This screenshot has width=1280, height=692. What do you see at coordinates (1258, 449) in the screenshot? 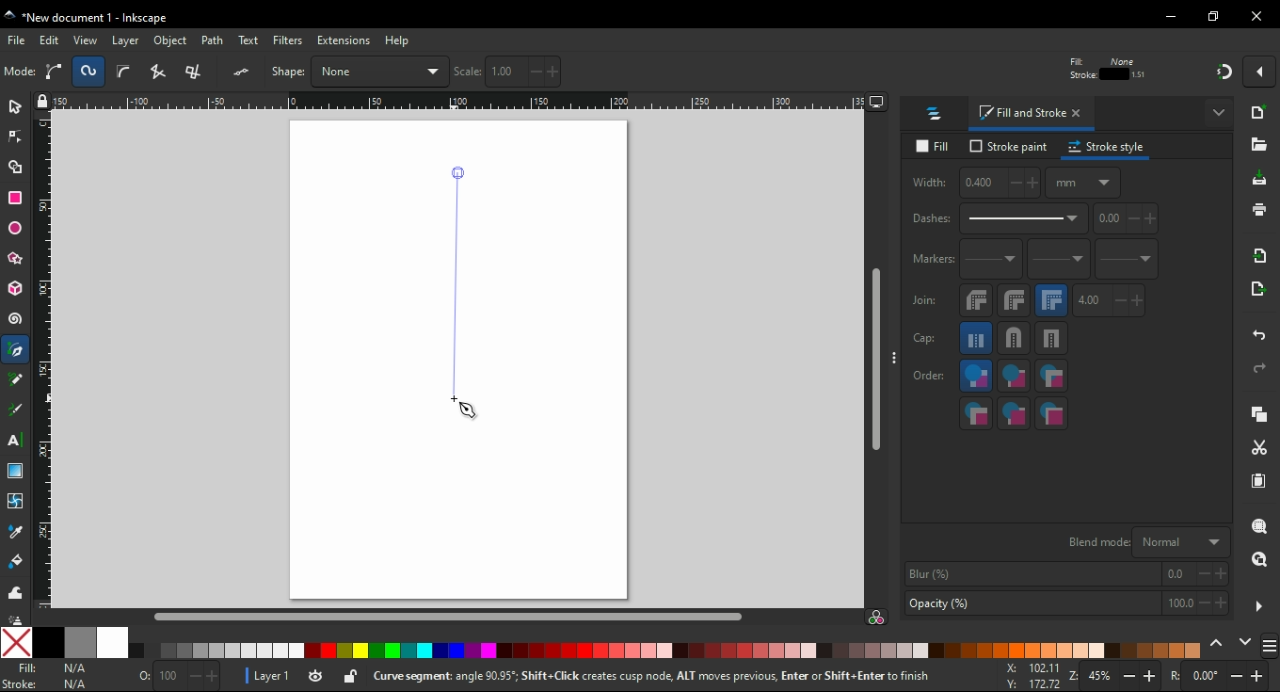
I see `cut` at bounding box center [1258, 449].